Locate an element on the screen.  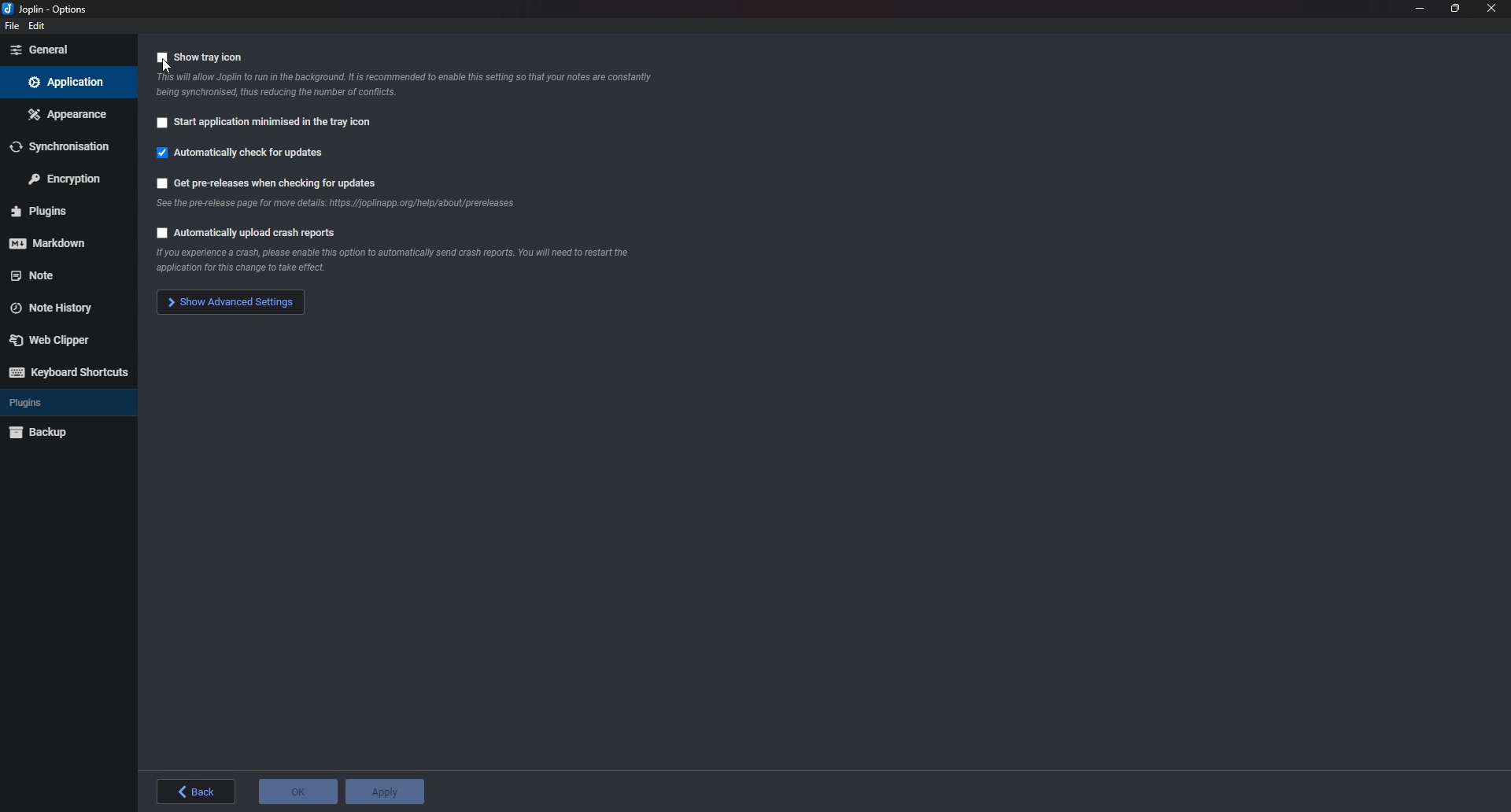
resize is located at coordinates (1456, 9).